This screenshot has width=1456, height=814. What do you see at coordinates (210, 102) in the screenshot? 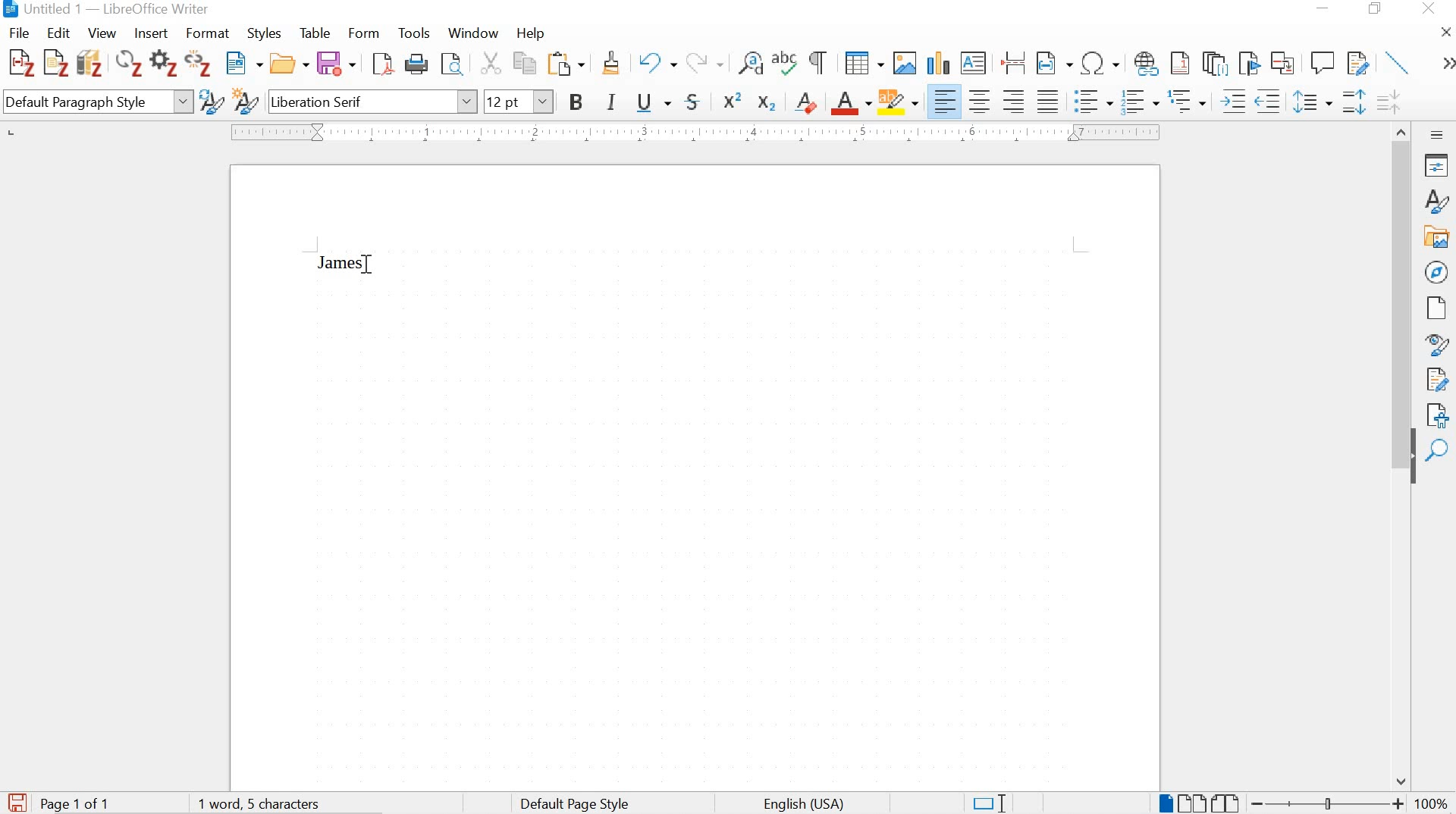
I see `updated selected style` at bounding box center [210, 102].